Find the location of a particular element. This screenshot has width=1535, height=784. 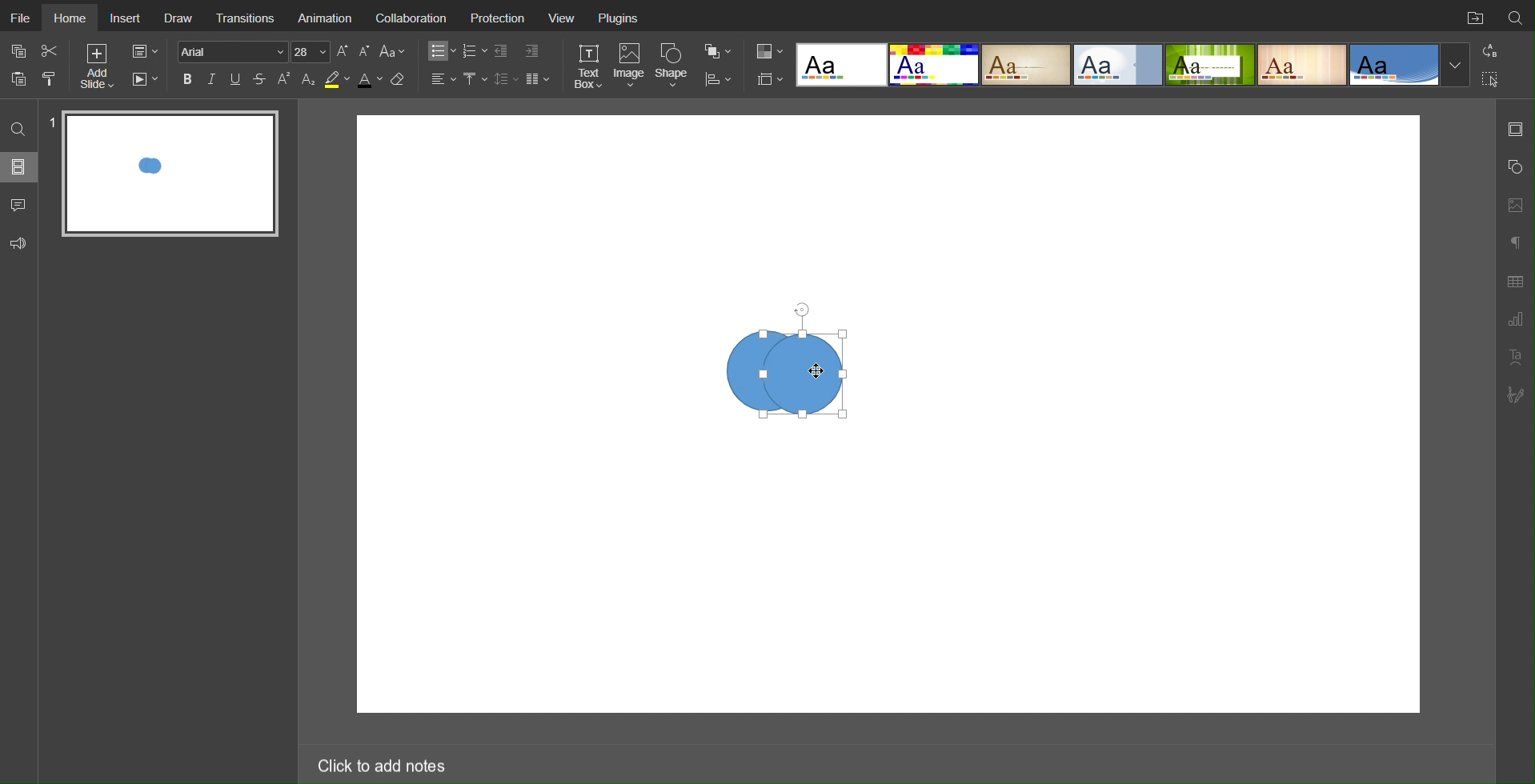

Search is located at coordinates (1516, 15).